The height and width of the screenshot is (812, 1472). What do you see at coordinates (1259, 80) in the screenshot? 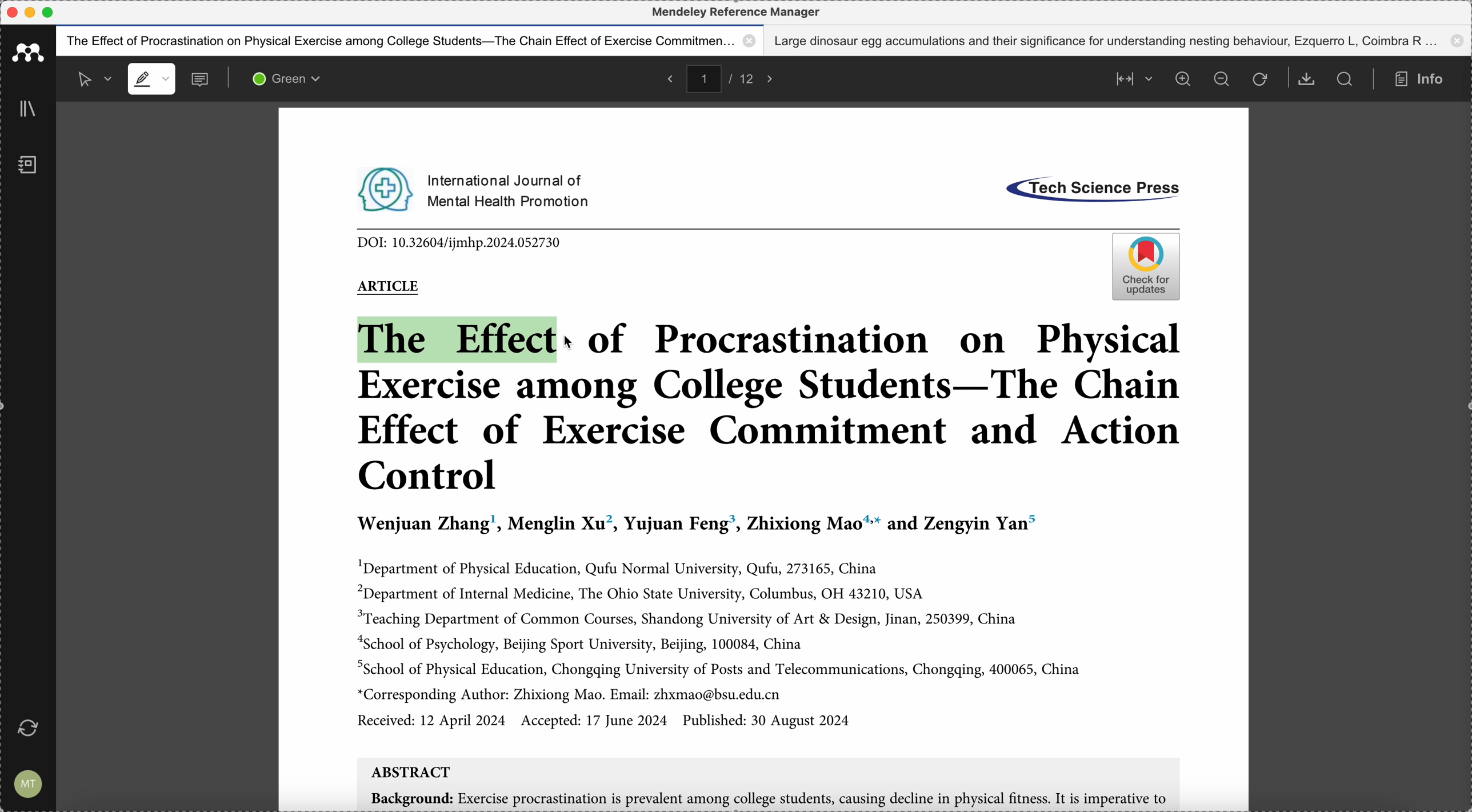
I see `refresh the page` at bounding box center [1259, 80].